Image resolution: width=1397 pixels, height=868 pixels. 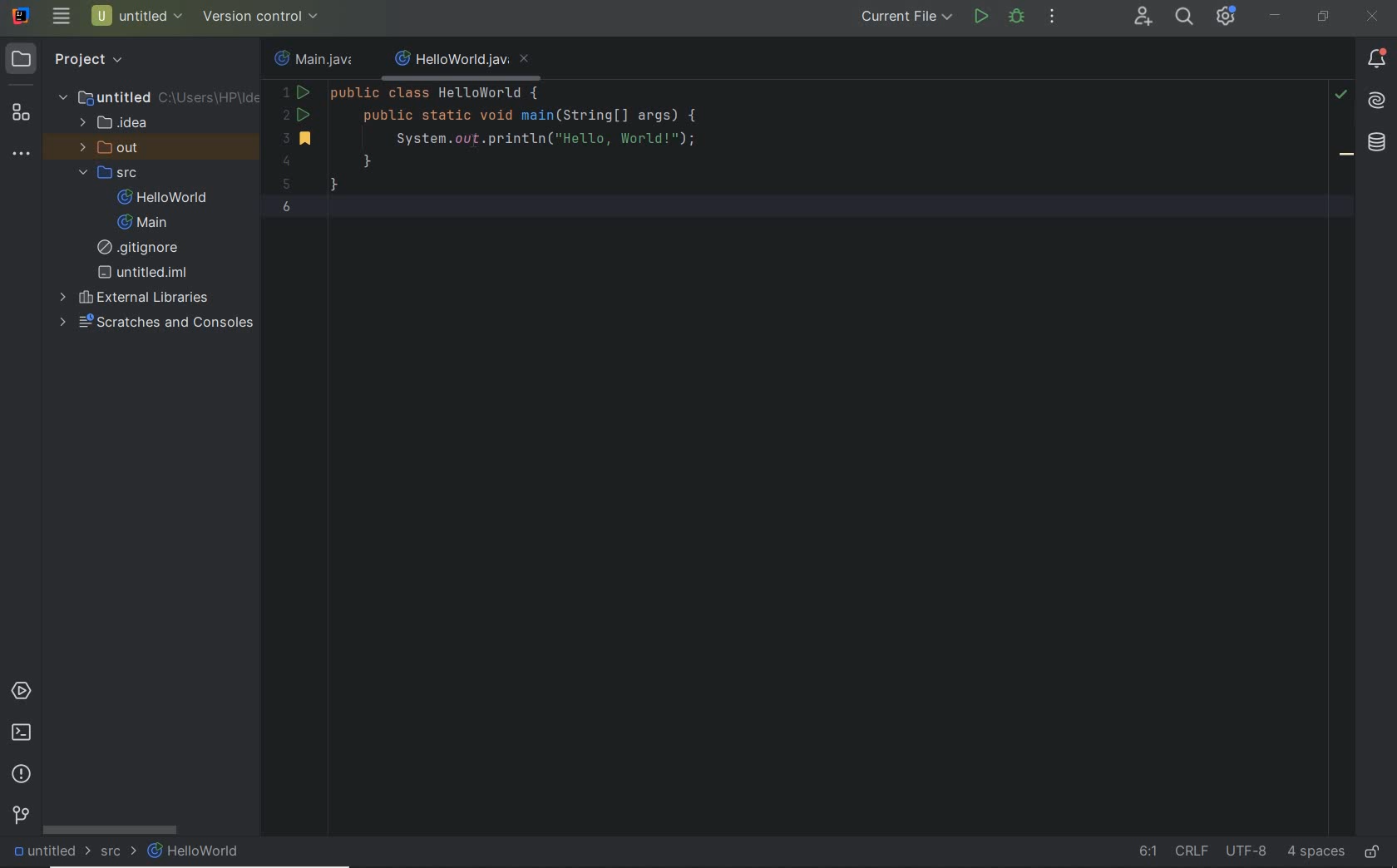 What do you see at coordinates (1375, 99) in the screenshot?
I see `AI Assistant` at bounding box center [1375, 99].